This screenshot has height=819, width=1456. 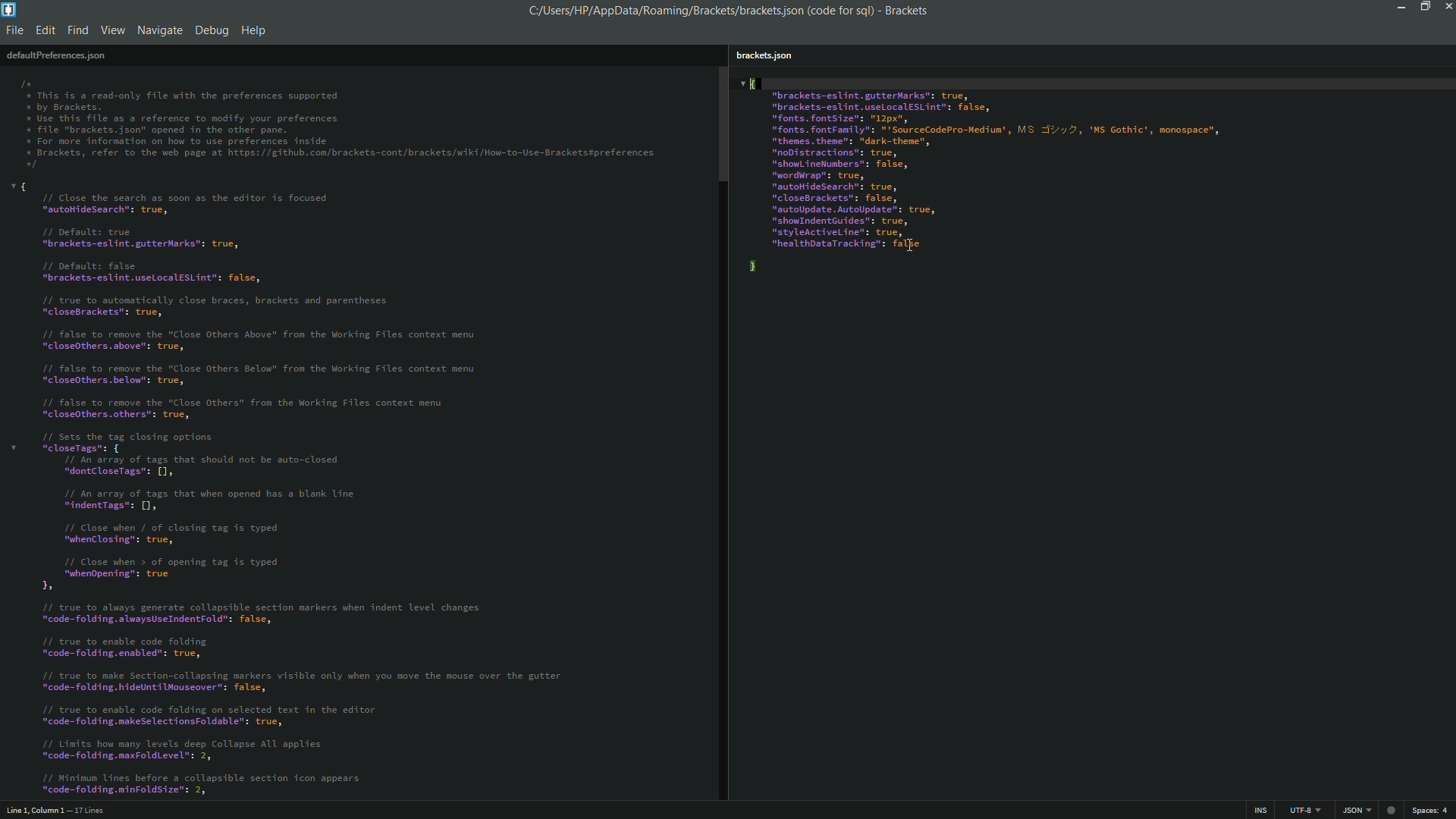 What do you see at coordinates (904, 11) in the screenshot?
I see `Brackets` at bounding box center [904, 11].